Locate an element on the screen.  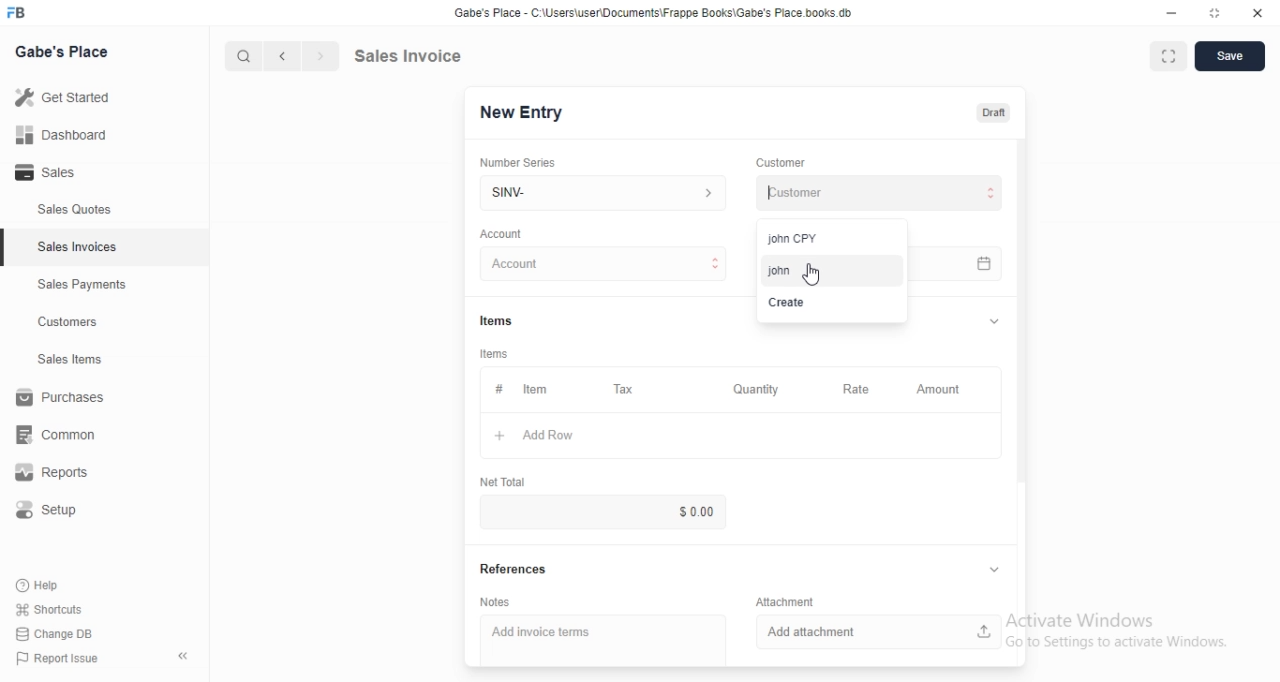
Save is located at coordinates (1230, 57).